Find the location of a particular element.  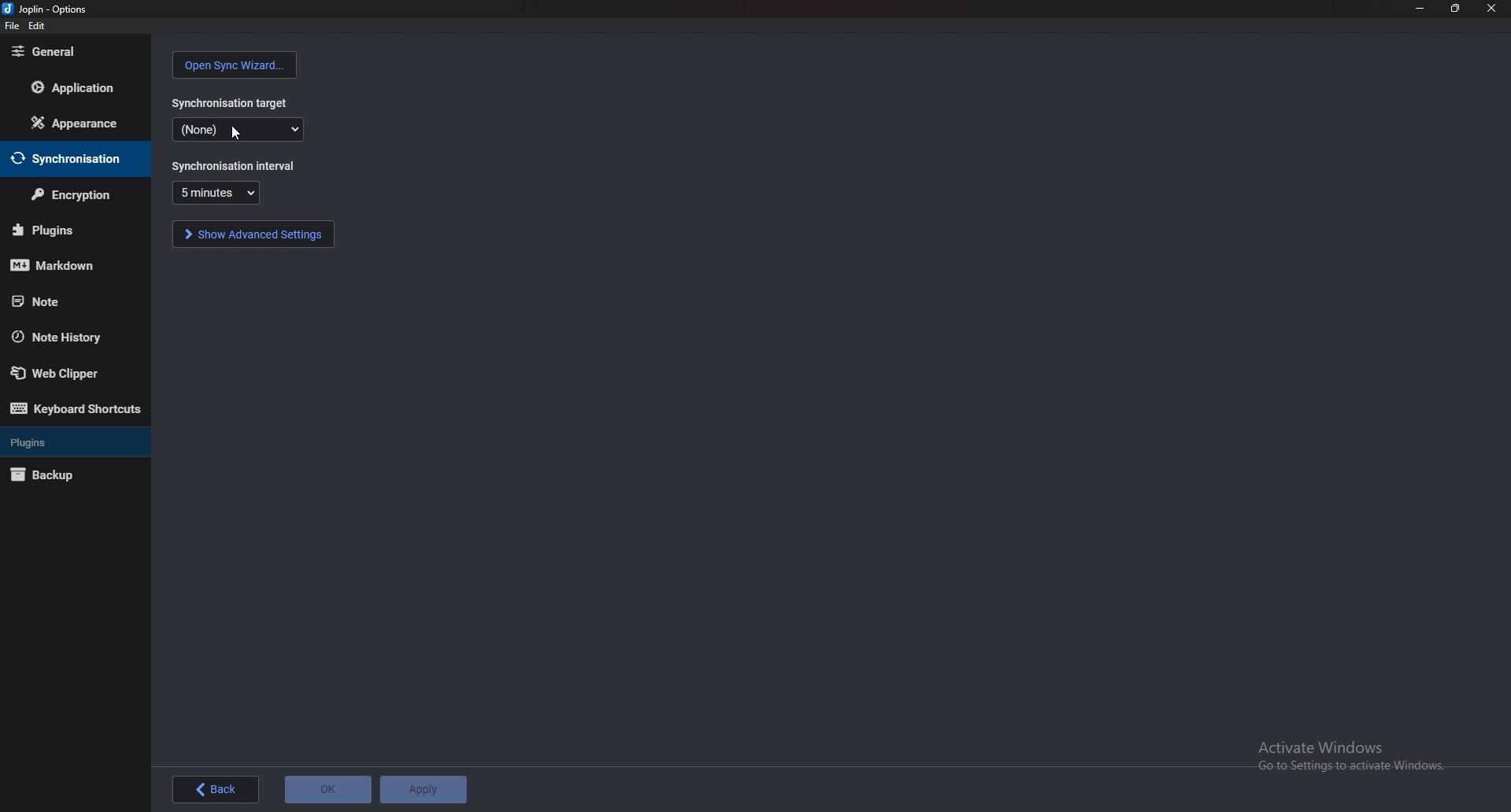

Note history is located at coordinates (74, 337).